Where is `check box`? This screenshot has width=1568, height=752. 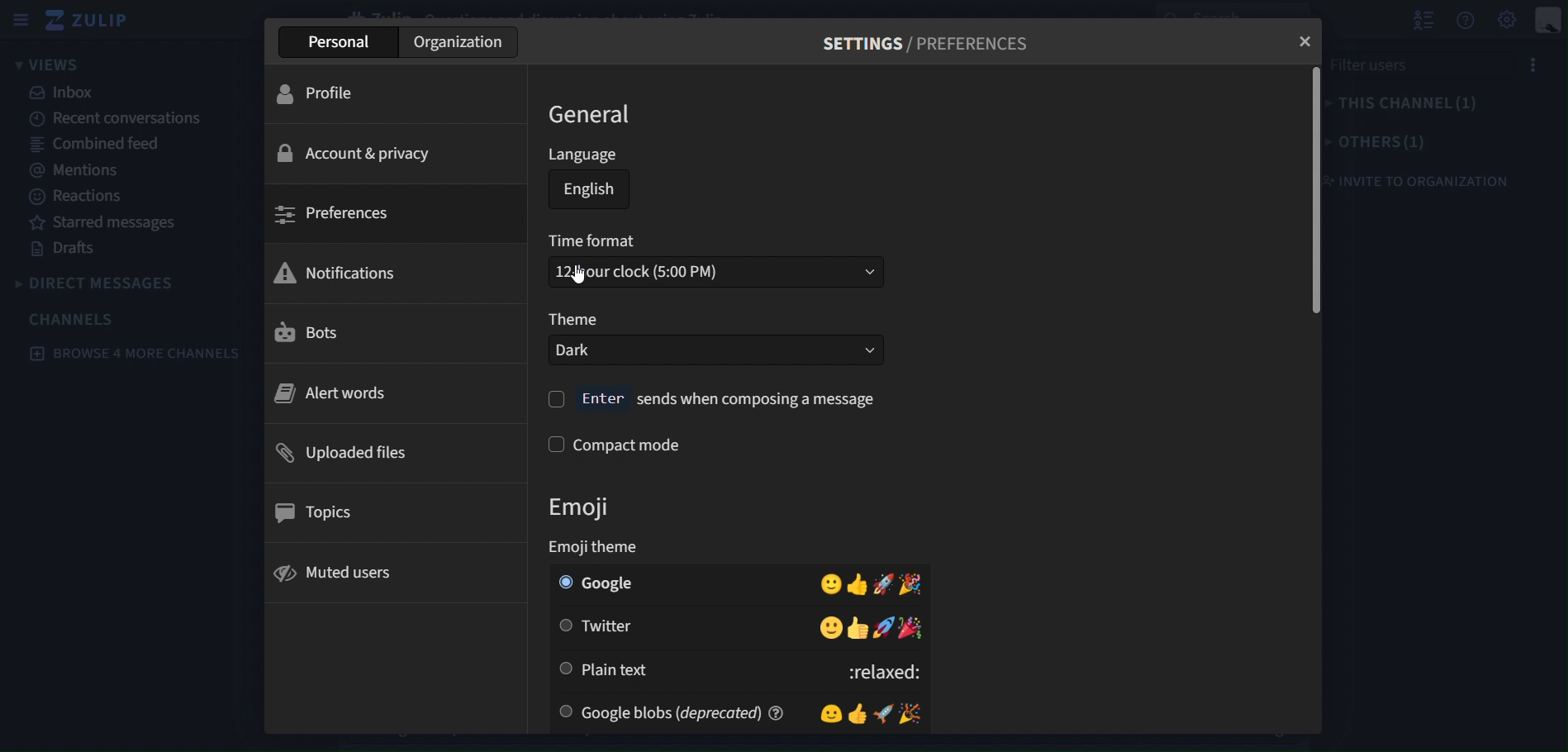 check box is located at coordinates (550, 445).